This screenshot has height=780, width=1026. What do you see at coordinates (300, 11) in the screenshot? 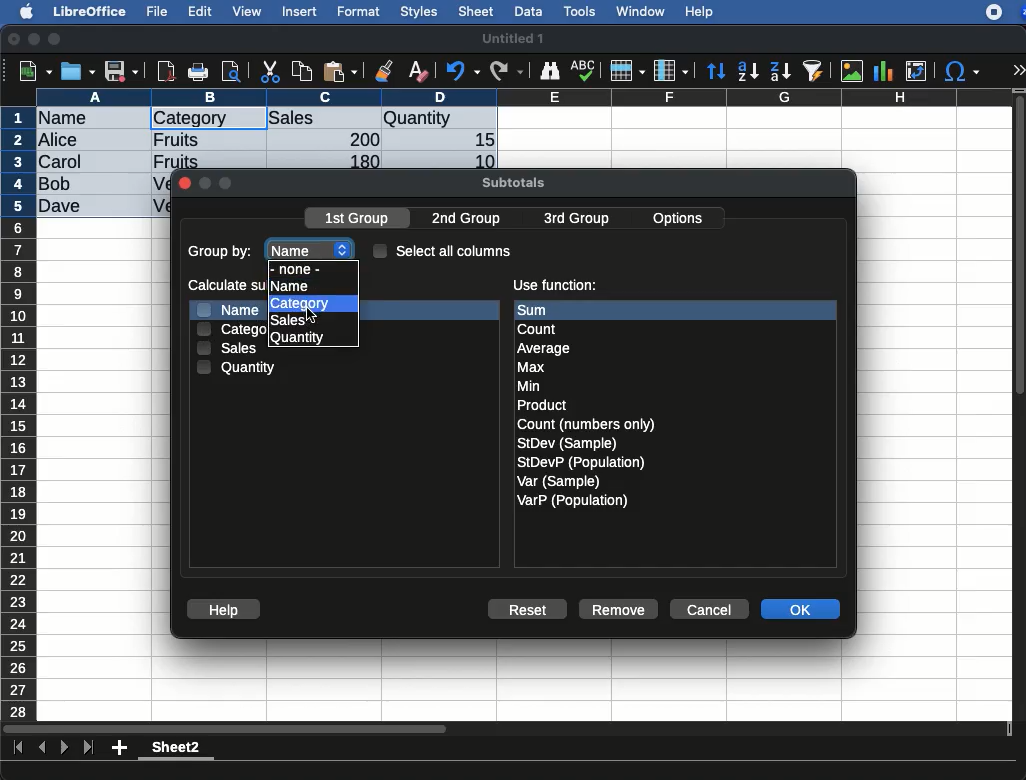
I see `insert` at bounding box center [300, 11].